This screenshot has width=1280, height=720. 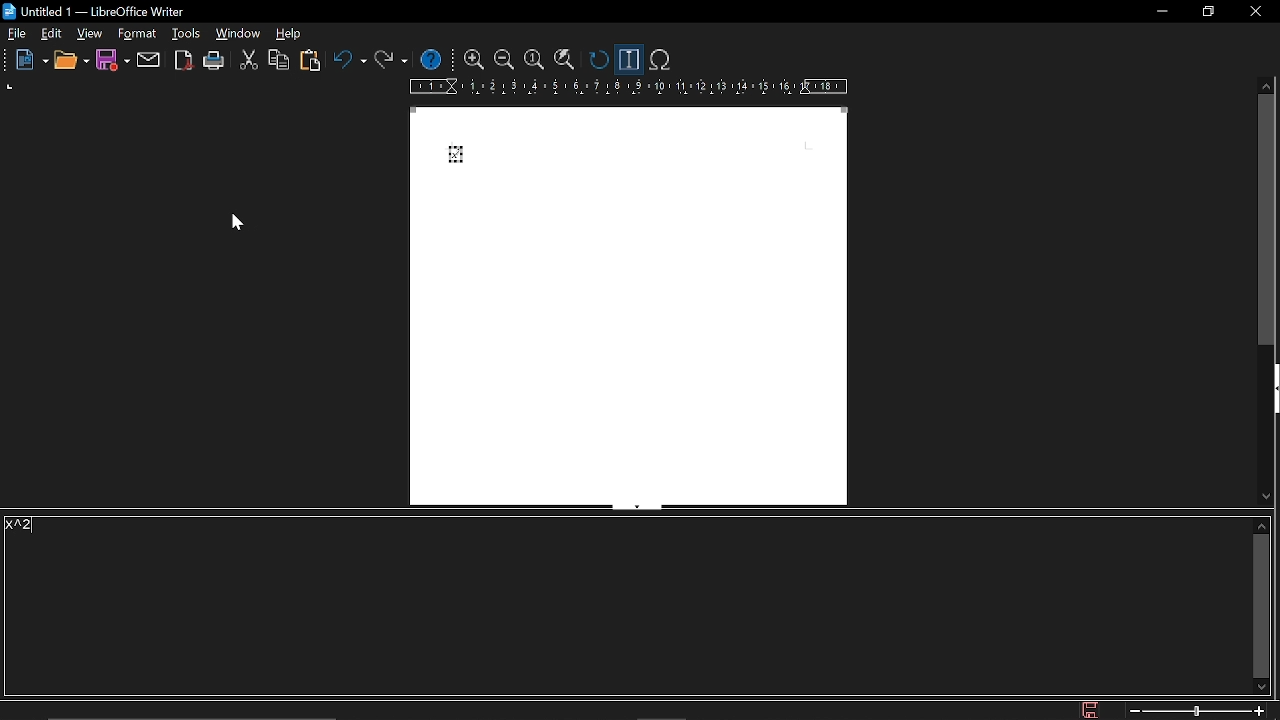 I want to click on save, so click(x=1093, y=709).